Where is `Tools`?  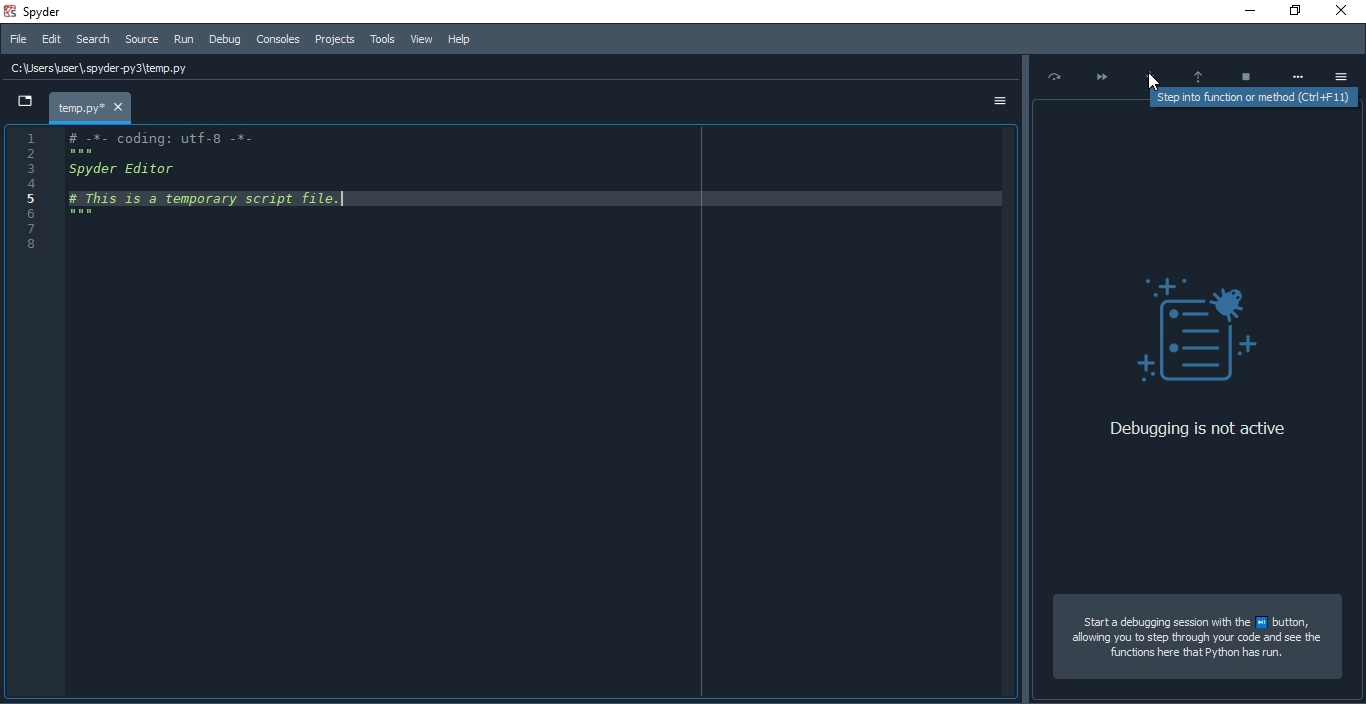 Tools is located at coordinates (380, 39).